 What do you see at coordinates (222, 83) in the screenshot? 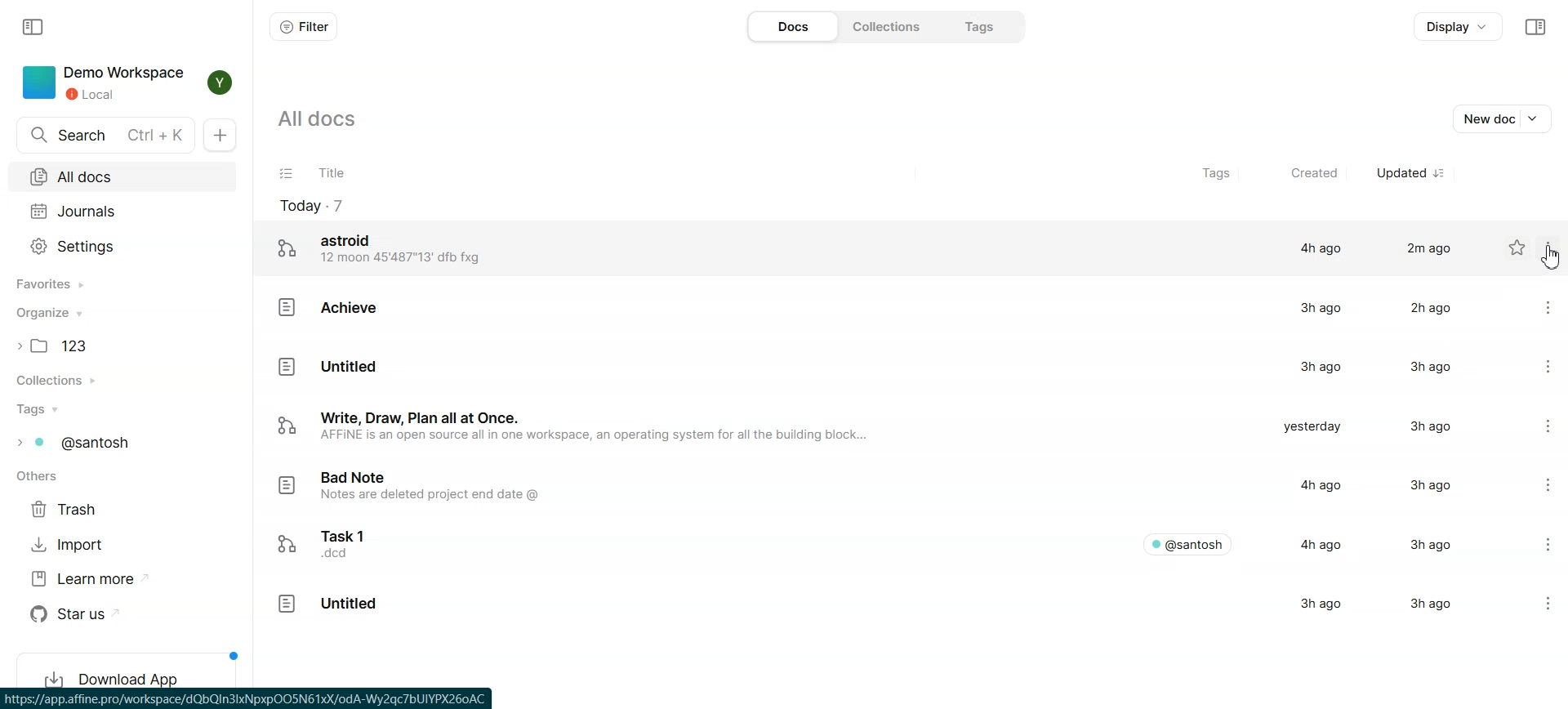
I see `Profile` at bounding box center [222, 83].